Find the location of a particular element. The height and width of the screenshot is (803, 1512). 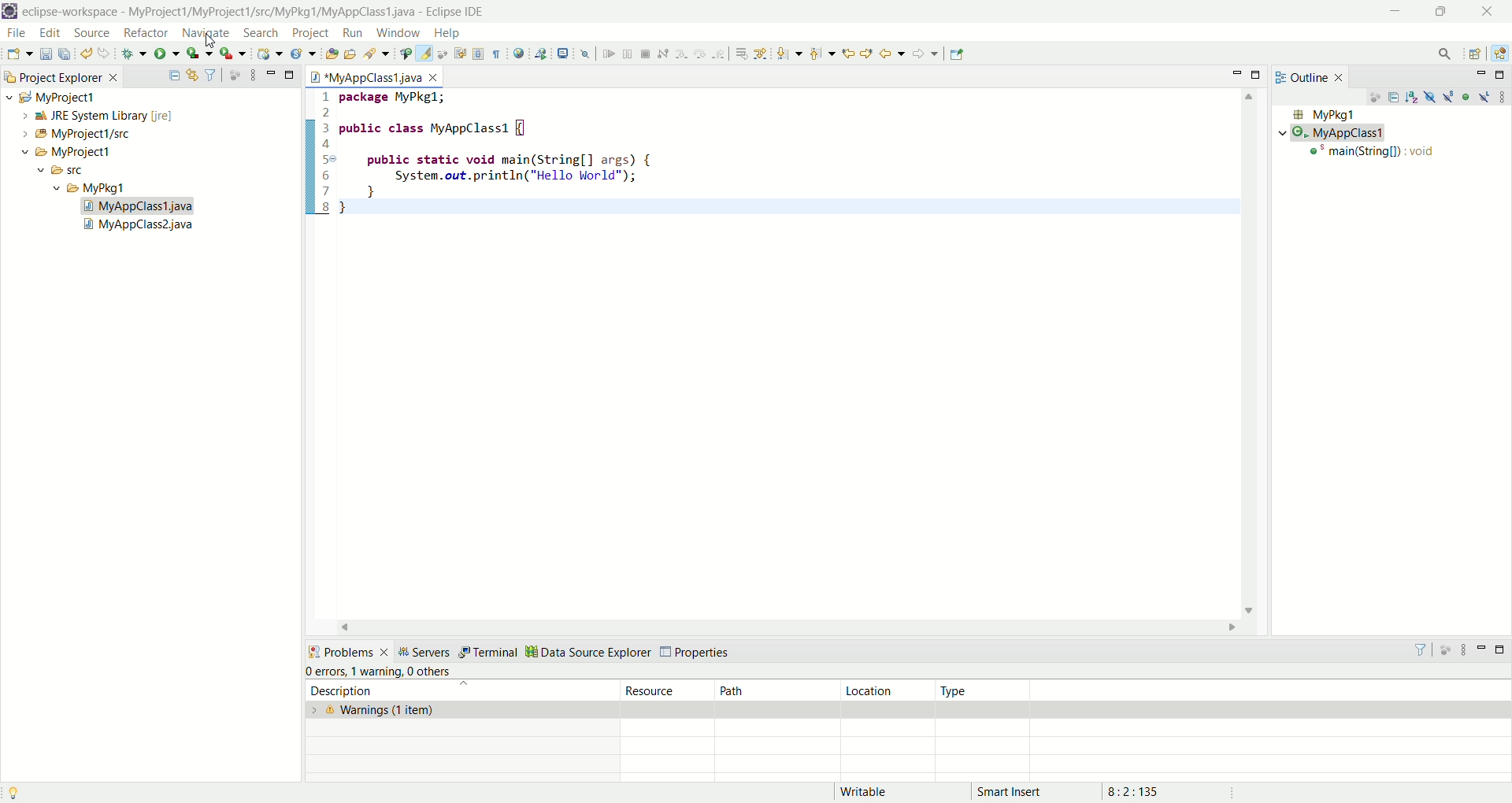

suspend is located at coordinates (627, 56).